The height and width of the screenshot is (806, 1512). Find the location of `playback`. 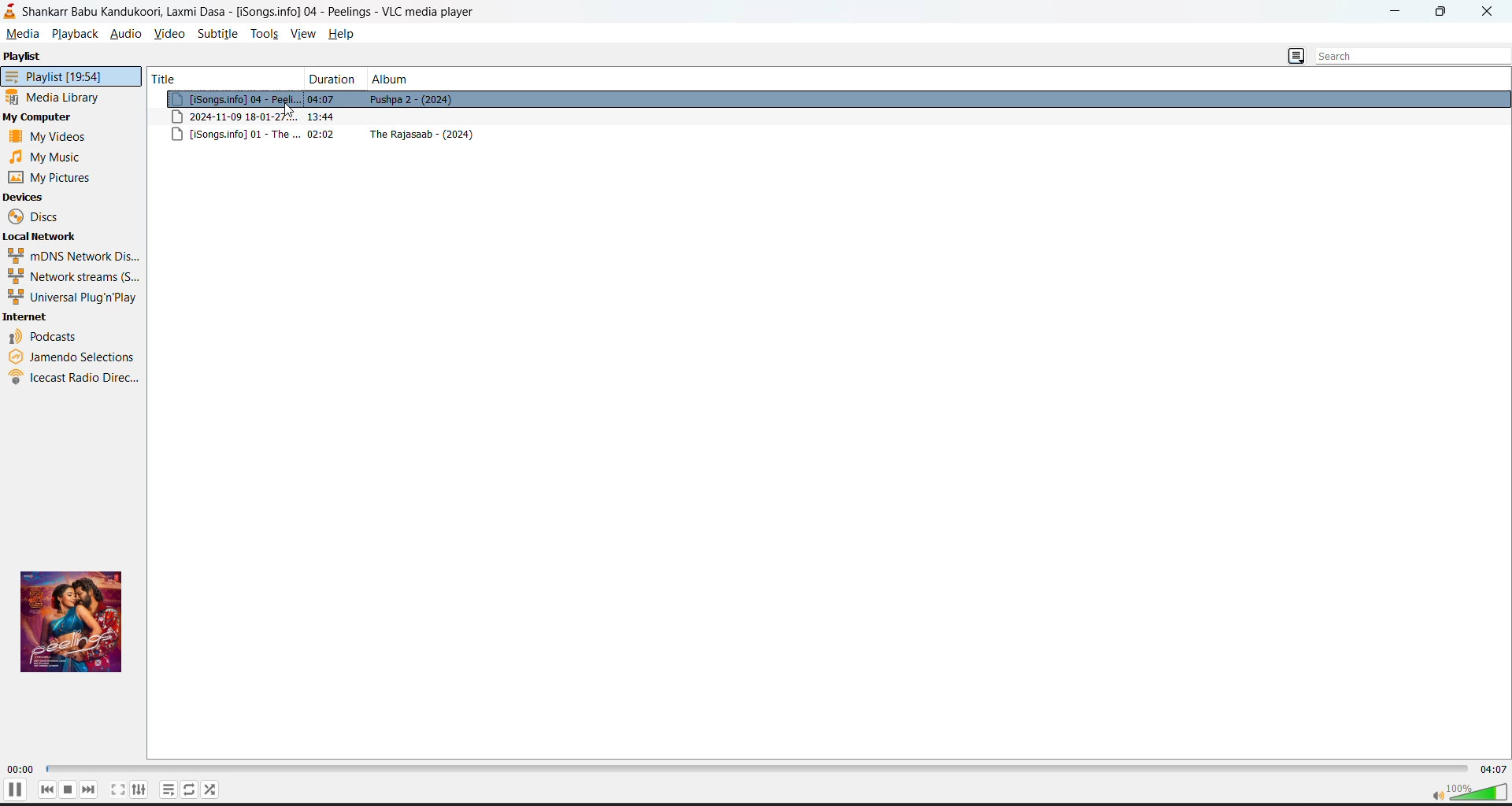

playback is located at coordinates (76, 35).